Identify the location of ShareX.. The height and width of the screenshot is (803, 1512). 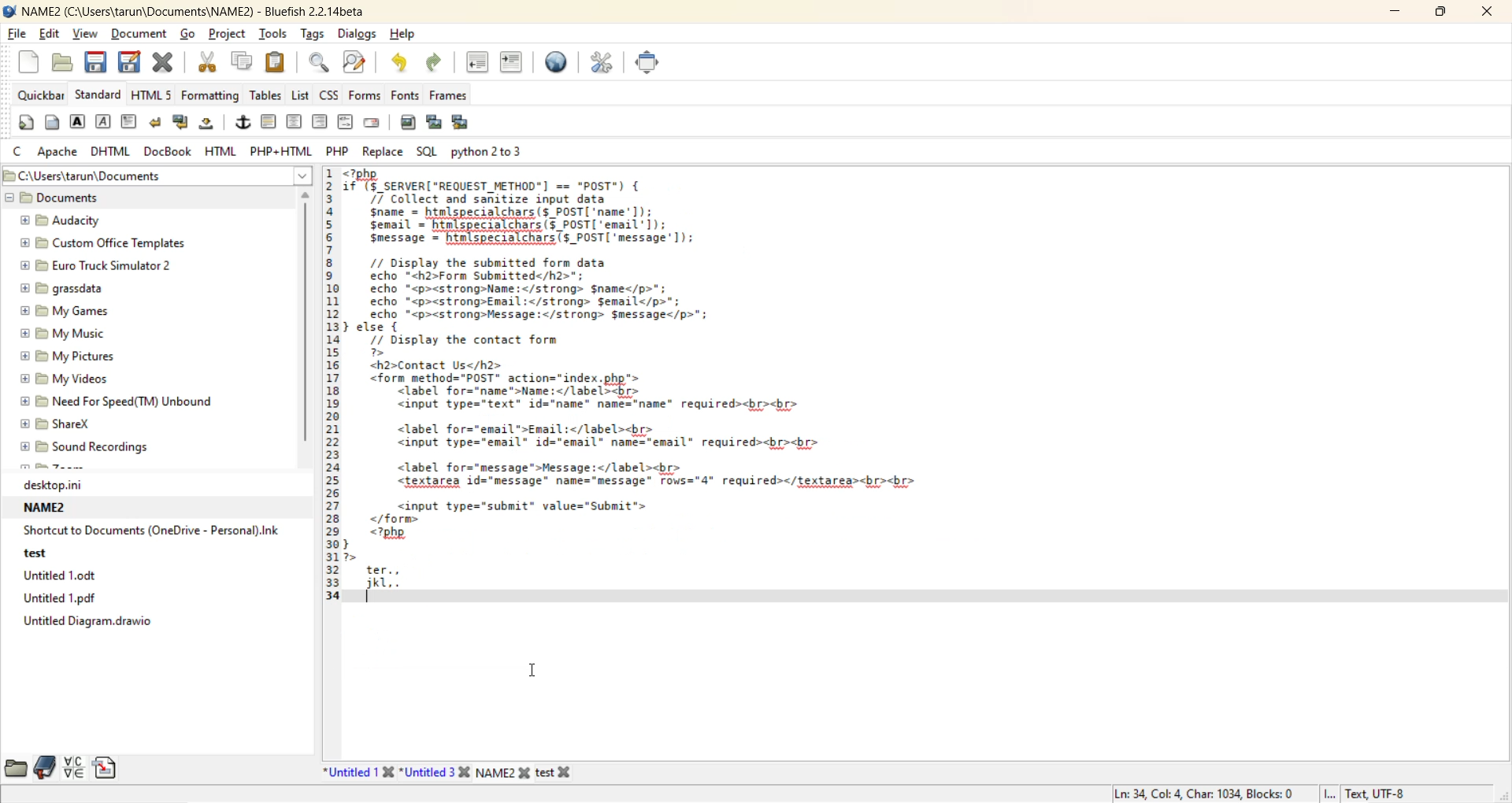
(61, 424).